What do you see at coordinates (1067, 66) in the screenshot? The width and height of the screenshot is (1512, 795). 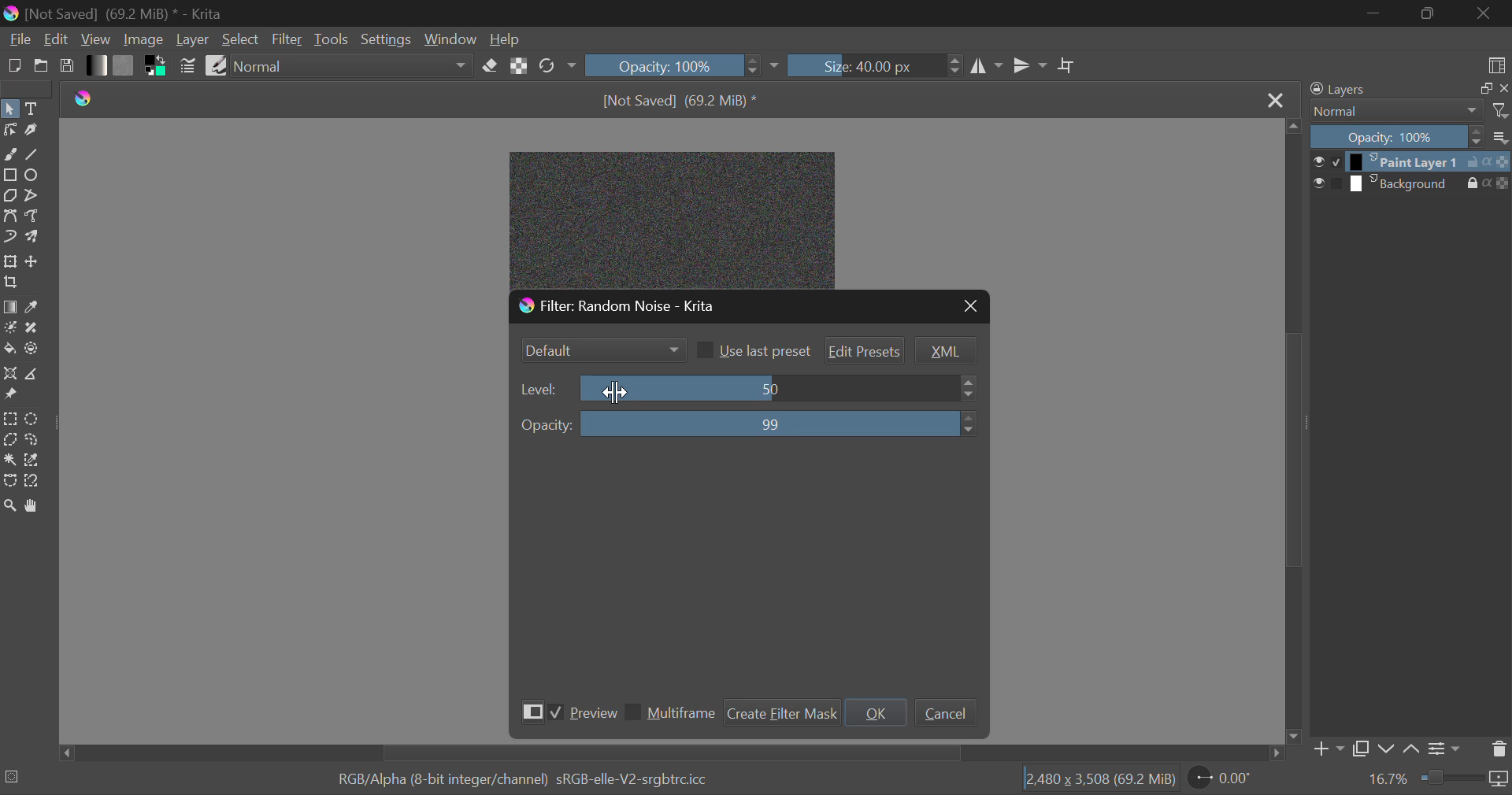 I see `Crop` at bounding box center [1067, 66].